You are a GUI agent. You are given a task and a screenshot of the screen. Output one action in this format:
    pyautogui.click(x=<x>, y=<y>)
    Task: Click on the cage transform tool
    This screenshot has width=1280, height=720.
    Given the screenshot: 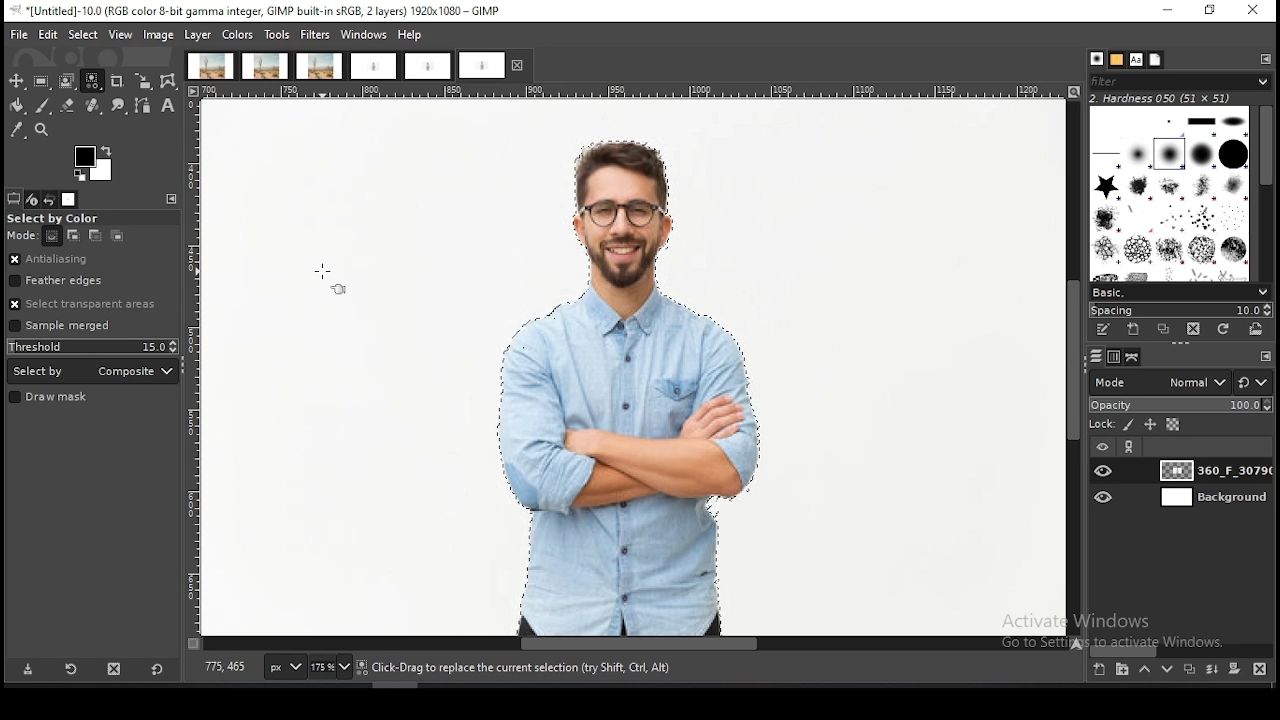 What is the action you would take?
    pyautogui.click(x=170, y=81)
    